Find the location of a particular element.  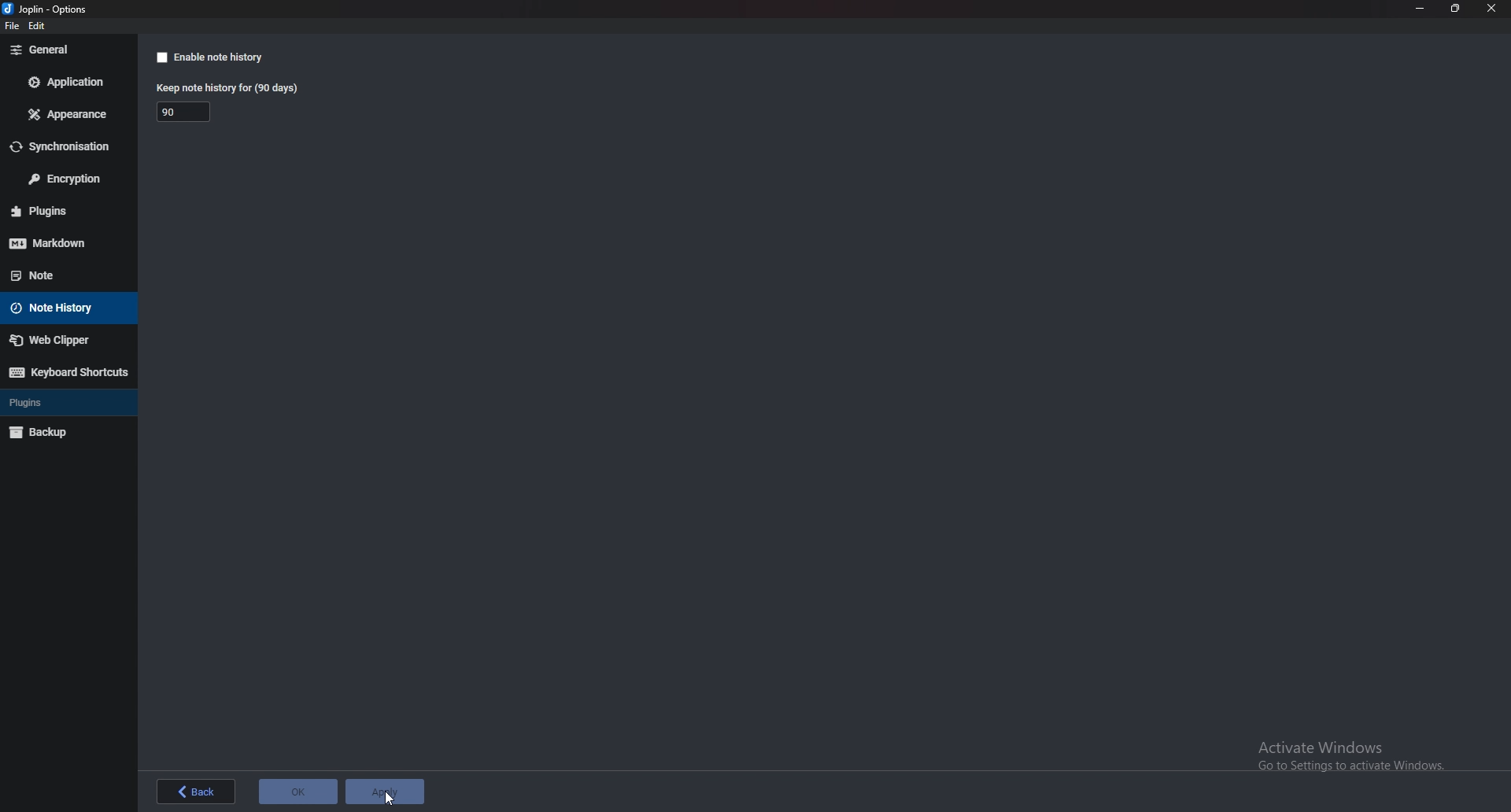

apply is located at coordinates (387, 791).